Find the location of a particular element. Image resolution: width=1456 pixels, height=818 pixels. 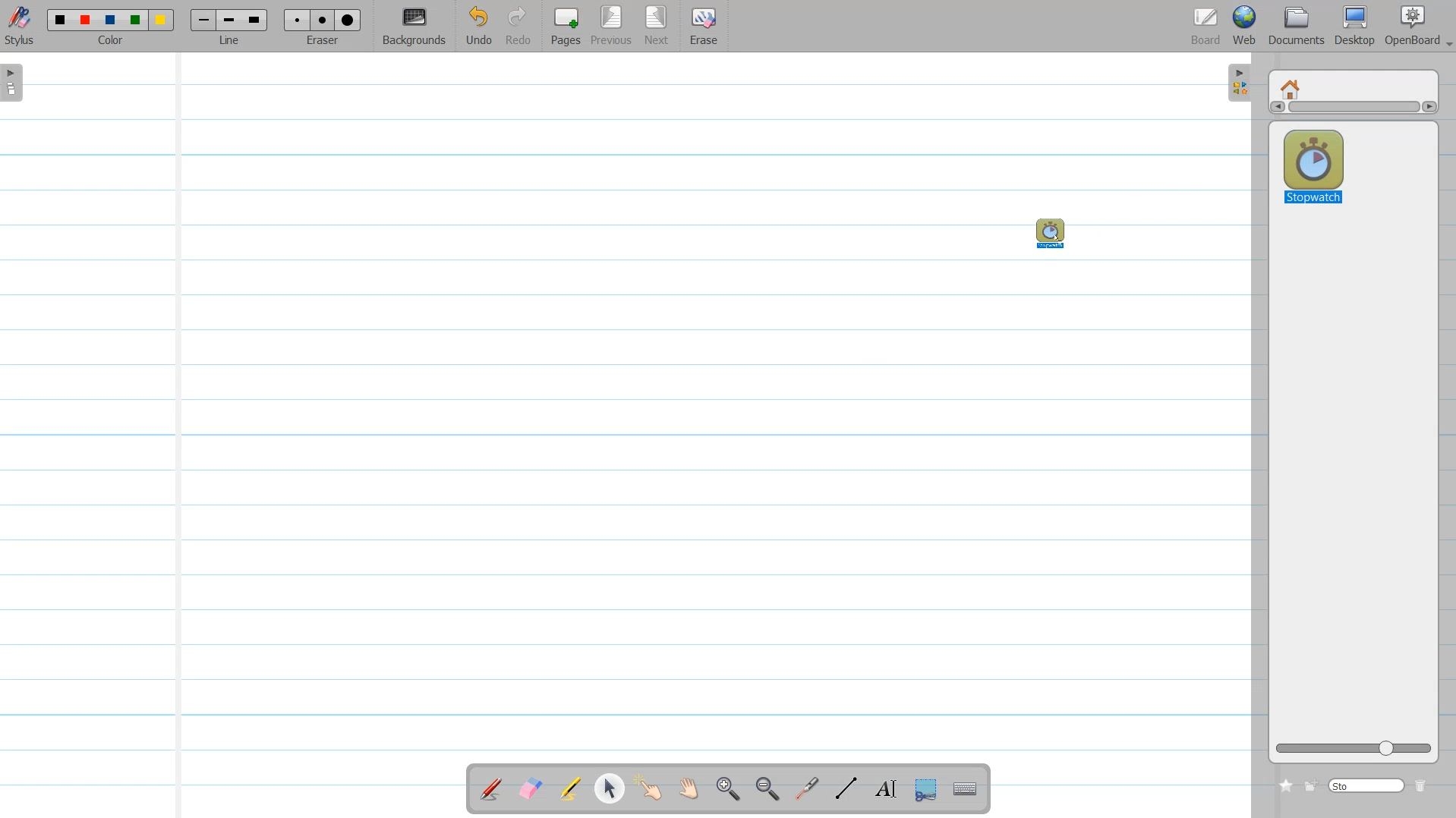

Stop watch is located at coordinates (1313, 162).